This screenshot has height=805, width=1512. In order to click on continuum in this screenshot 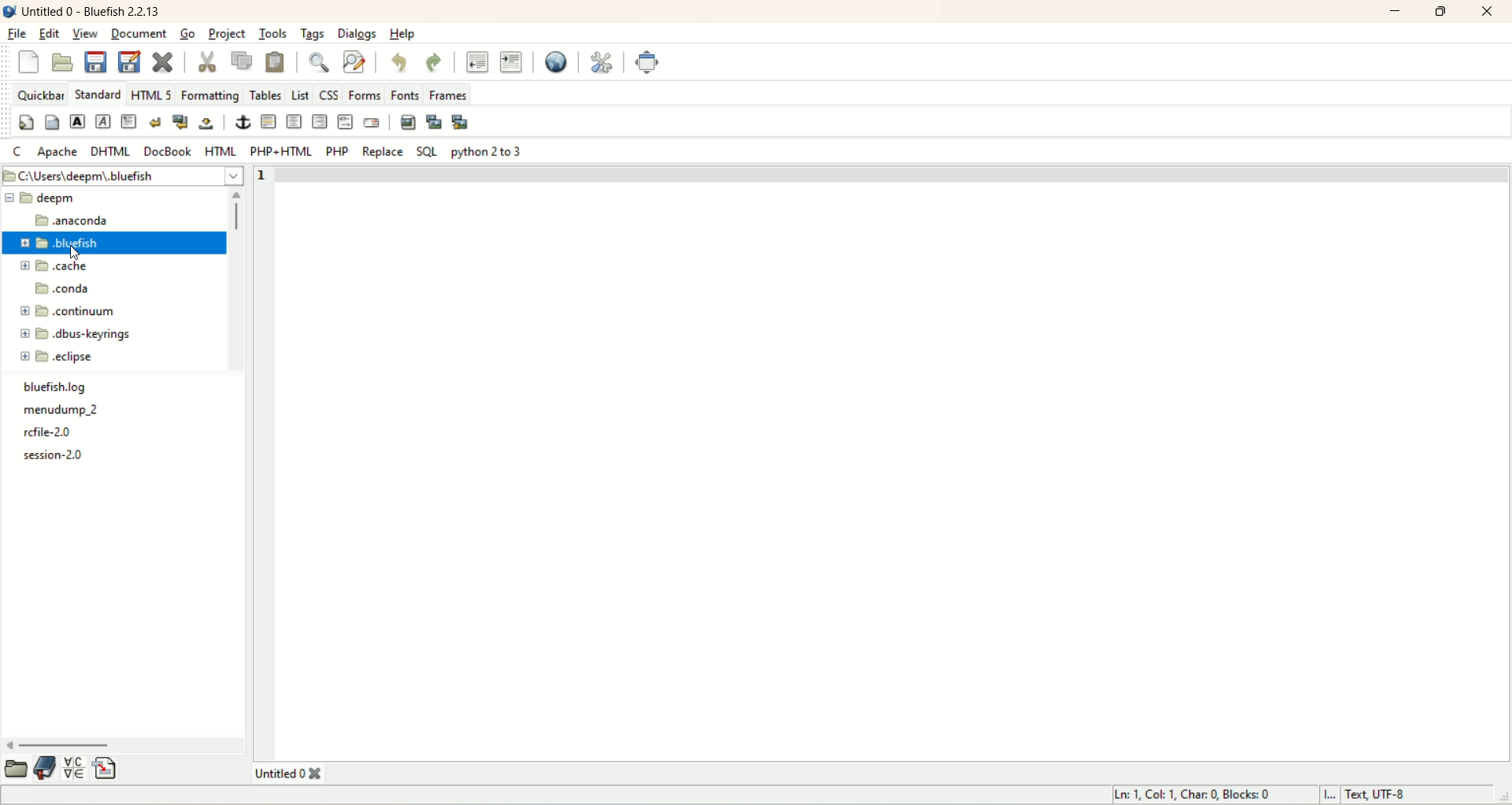, I will do `click(67, 311)`.